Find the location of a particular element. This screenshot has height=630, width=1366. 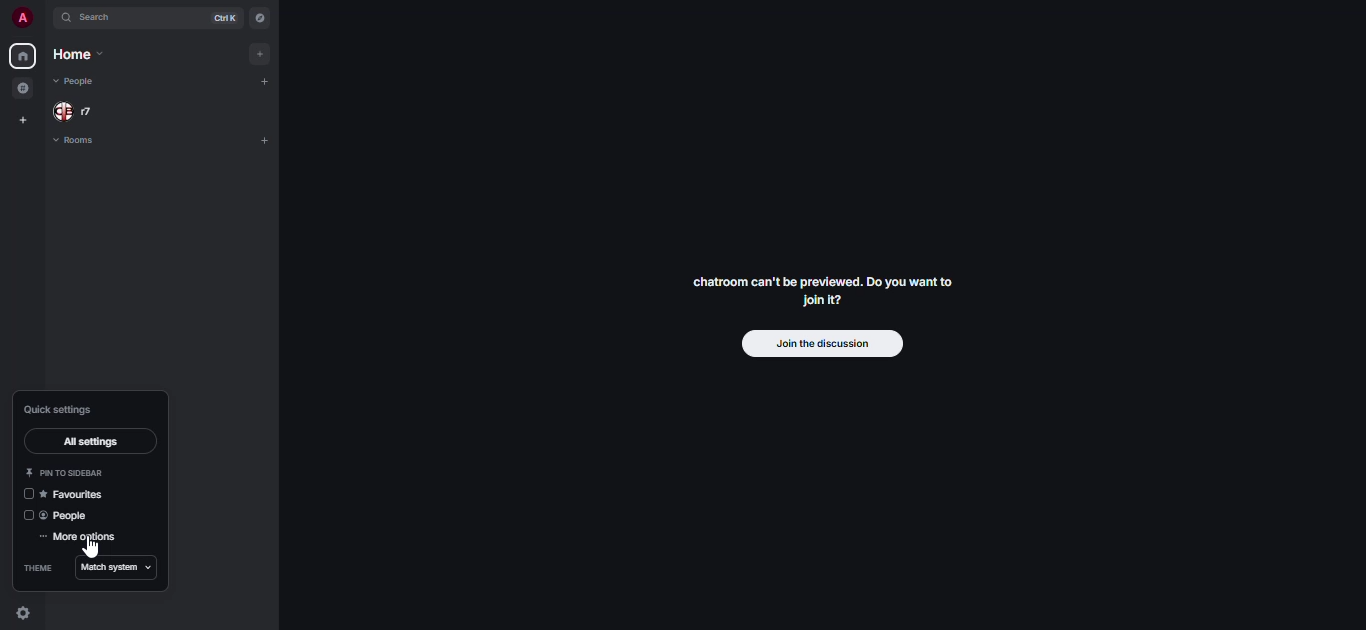

search is located at coordinates (109, 19).